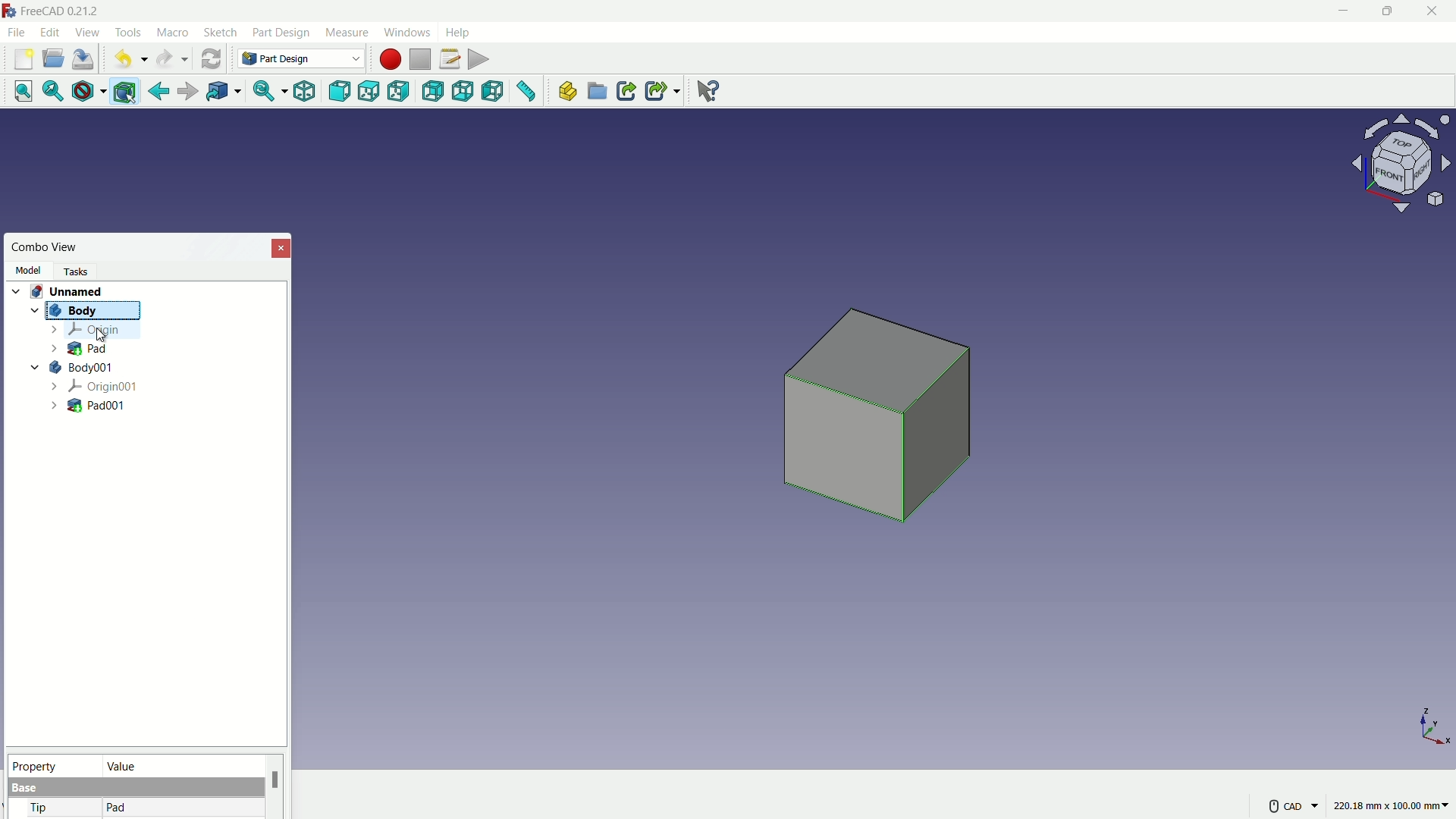  What do you see at coordinates (53, 59) in the screenshot?
I see `open folder` at bounding box center [53, 59].